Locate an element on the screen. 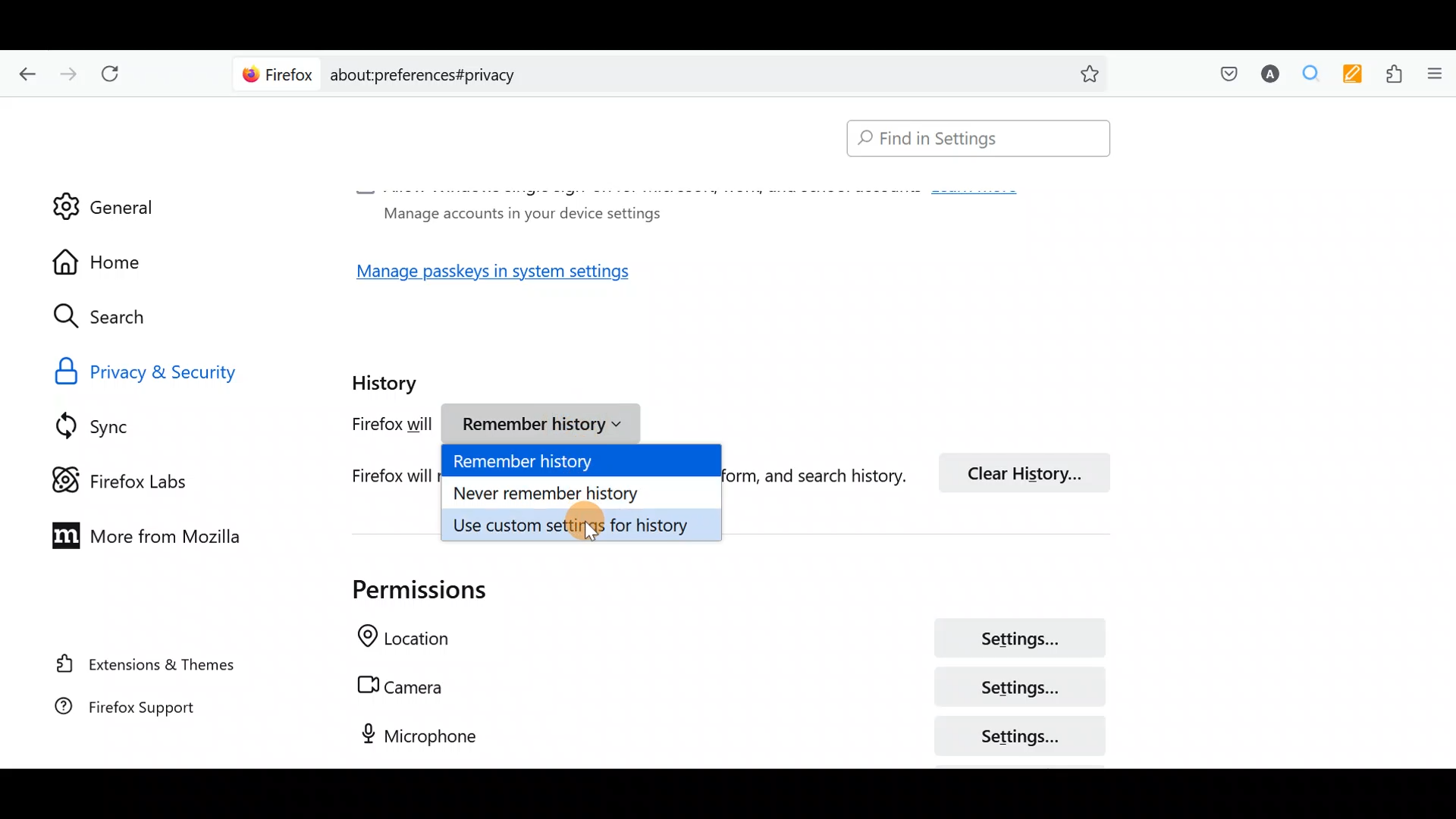 This screenshot has width=1456, height=819. Never remember history is located at coordinates (583, 491).